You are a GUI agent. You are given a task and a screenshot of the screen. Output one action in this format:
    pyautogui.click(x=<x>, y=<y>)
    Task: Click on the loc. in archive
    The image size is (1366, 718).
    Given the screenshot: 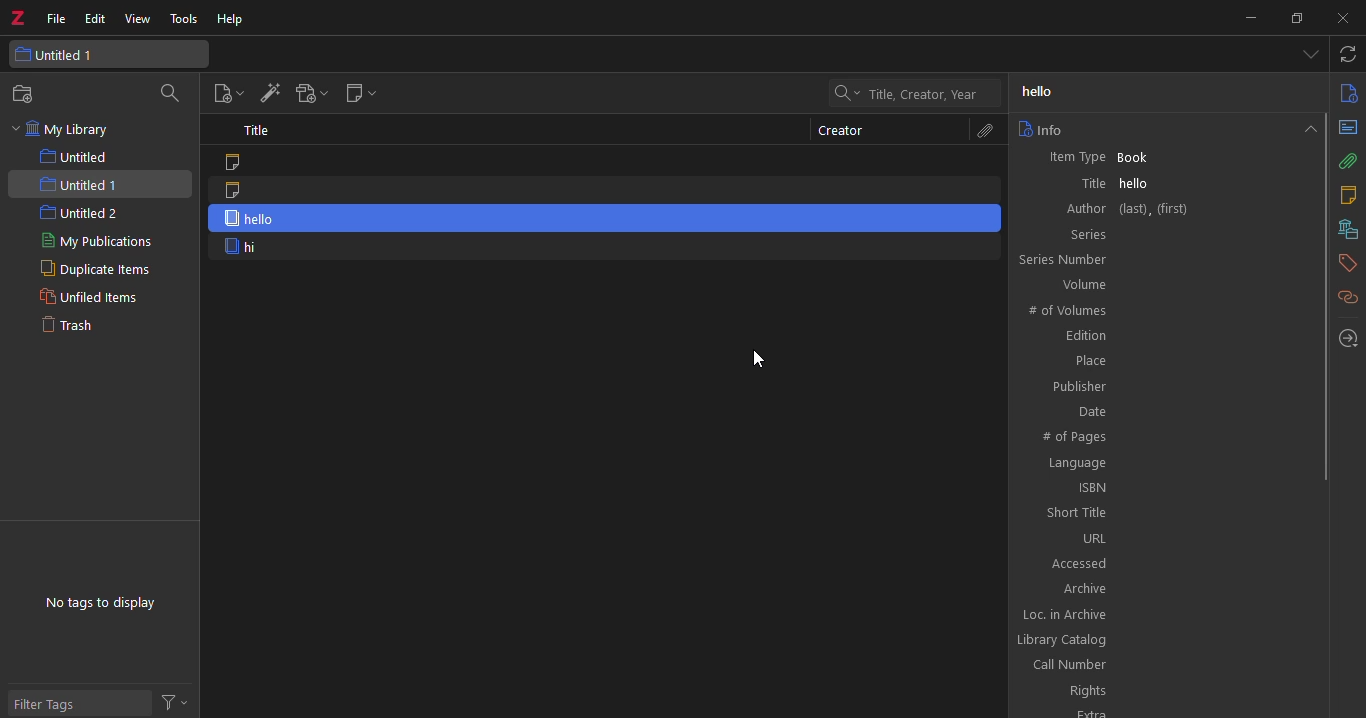 What is the action you would take?
    pyautogui.click(x=1162, y=614)
    